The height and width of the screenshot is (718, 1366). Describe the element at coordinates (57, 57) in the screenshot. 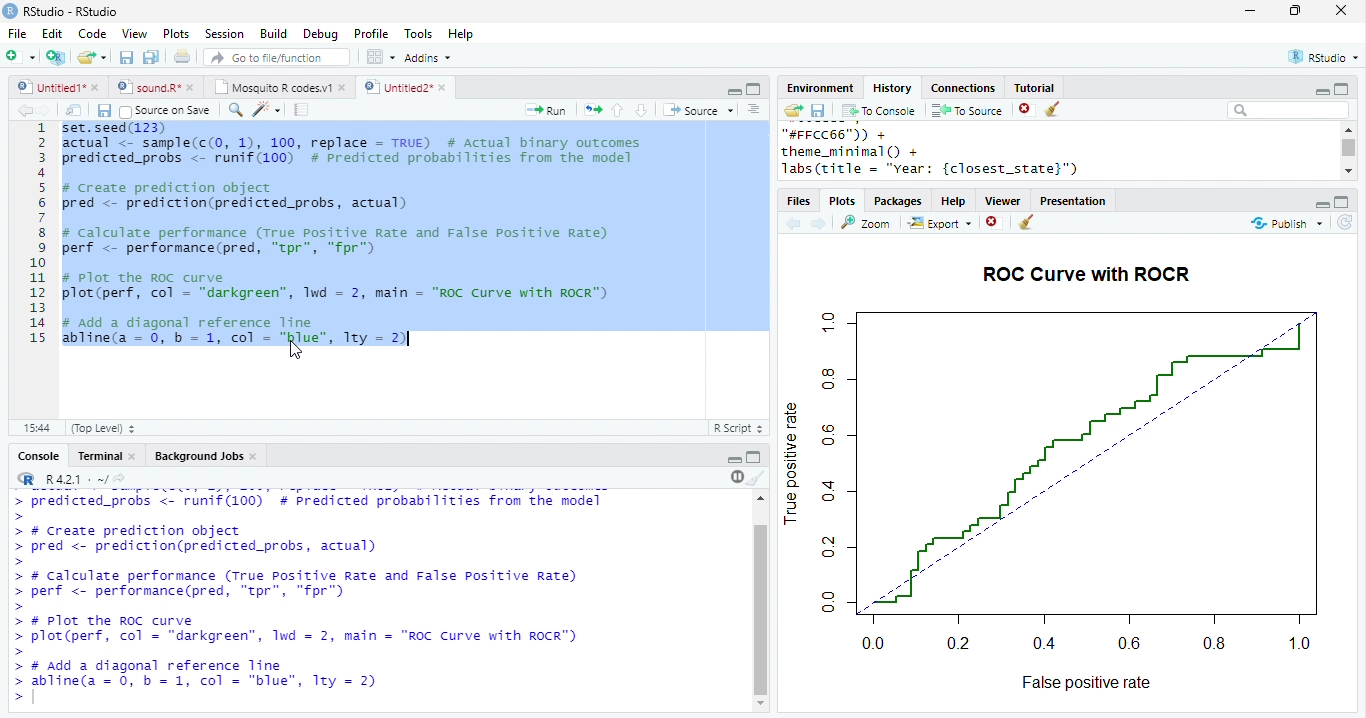

I see `new project` at that location.